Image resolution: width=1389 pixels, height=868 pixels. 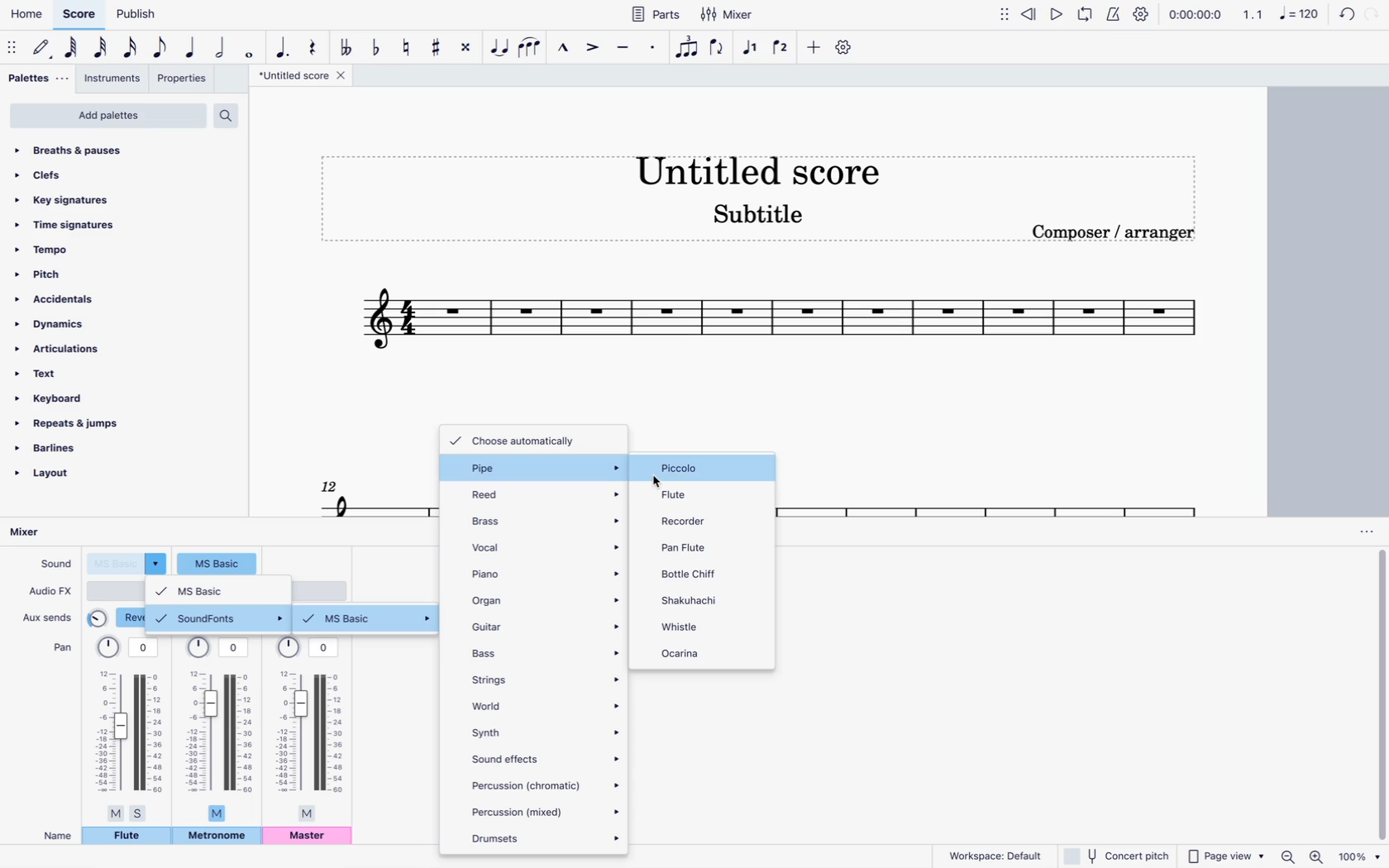 What do you see at coordinates (218, 590) in the screenshot?
I see `msbasic ` at bounding box center [218, 590].